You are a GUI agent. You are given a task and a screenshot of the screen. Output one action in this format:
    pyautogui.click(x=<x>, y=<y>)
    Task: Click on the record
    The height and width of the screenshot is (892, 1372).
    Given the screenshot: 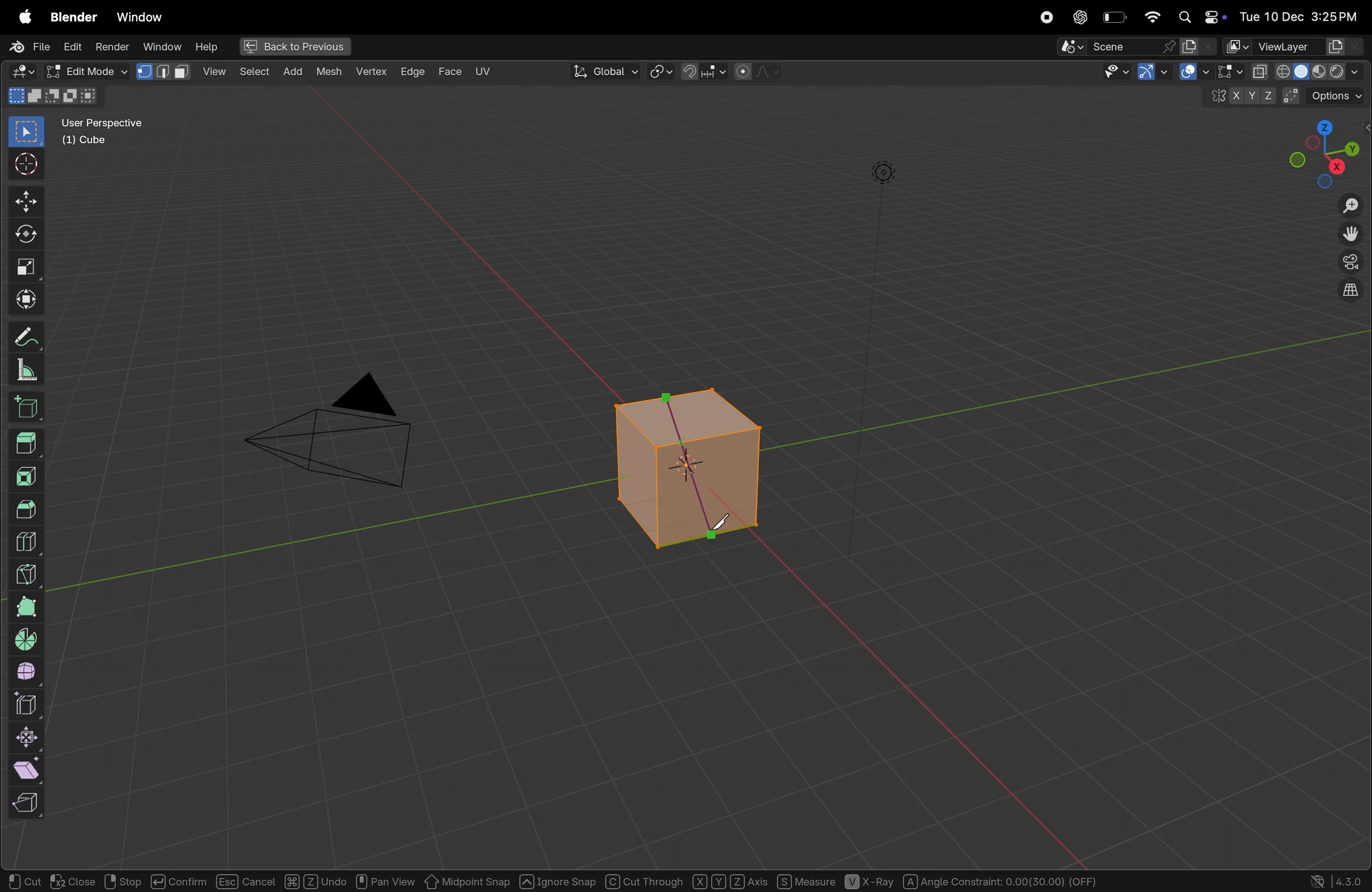 What is the action you would take?
    pyautogui.click(x=1047, y=17)
    